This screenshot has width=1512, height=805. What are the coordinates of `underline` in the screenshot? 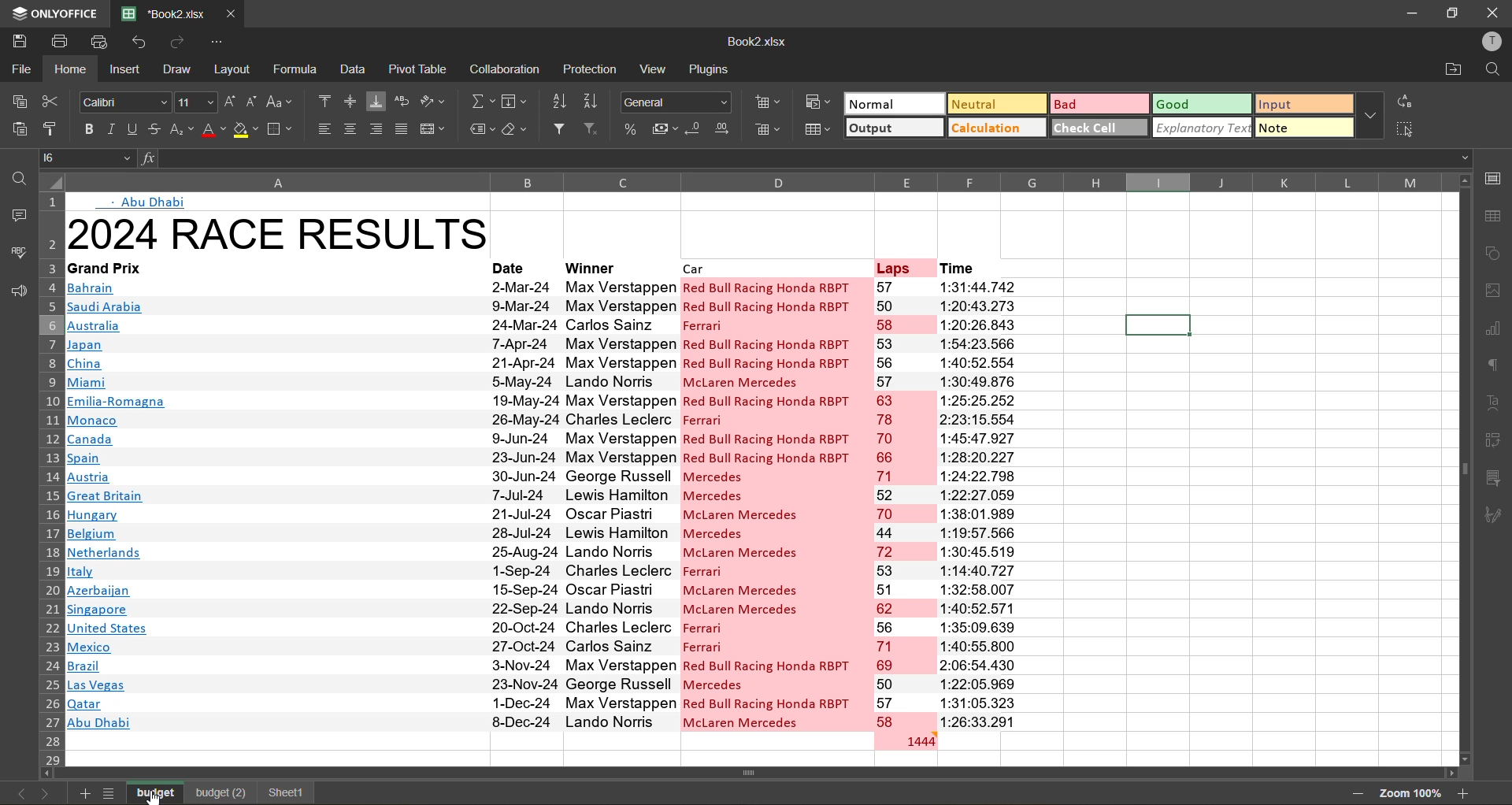 It's located at (132, 132).